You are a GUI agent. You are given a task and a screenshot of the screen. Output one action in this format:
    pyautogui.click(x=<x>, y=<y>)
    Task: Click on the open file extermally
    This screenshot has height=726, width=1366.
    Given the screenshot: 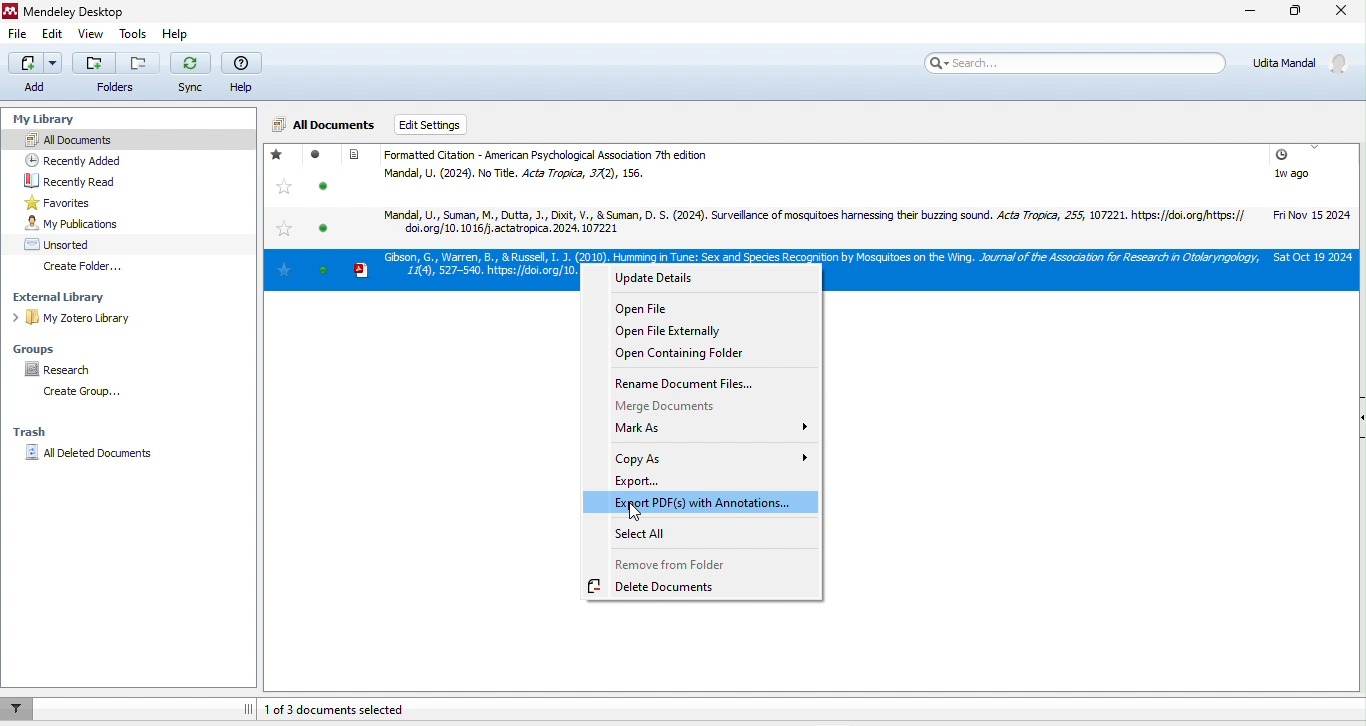 What is the action you would take?
    pyautogui.click(x=664, y=331)
    